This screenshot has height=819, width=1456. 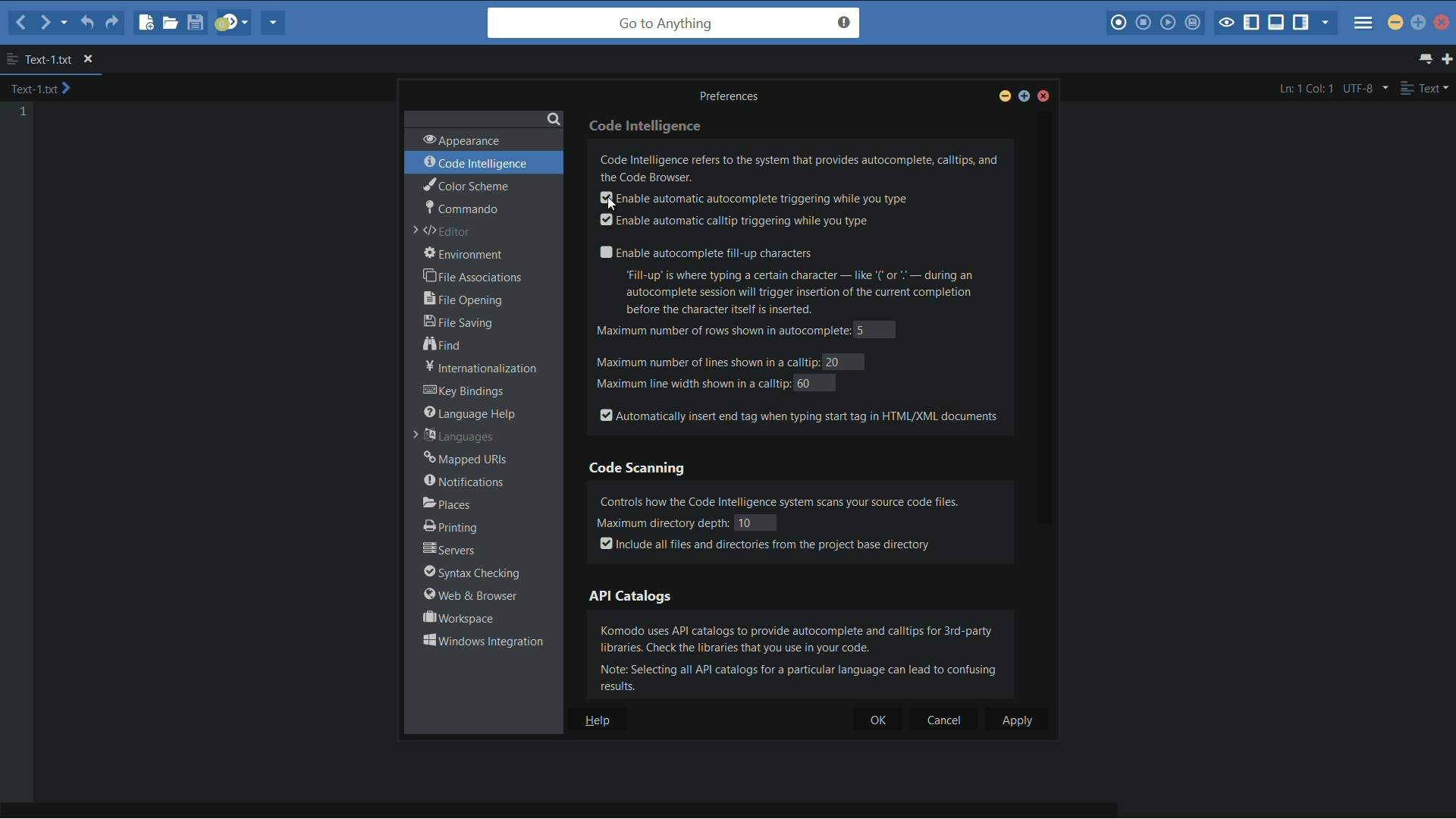 What do you see at coordinates (661, 522) in the screenshot?
I see `Maximum directory depth:` at bounding box center [661, 522].